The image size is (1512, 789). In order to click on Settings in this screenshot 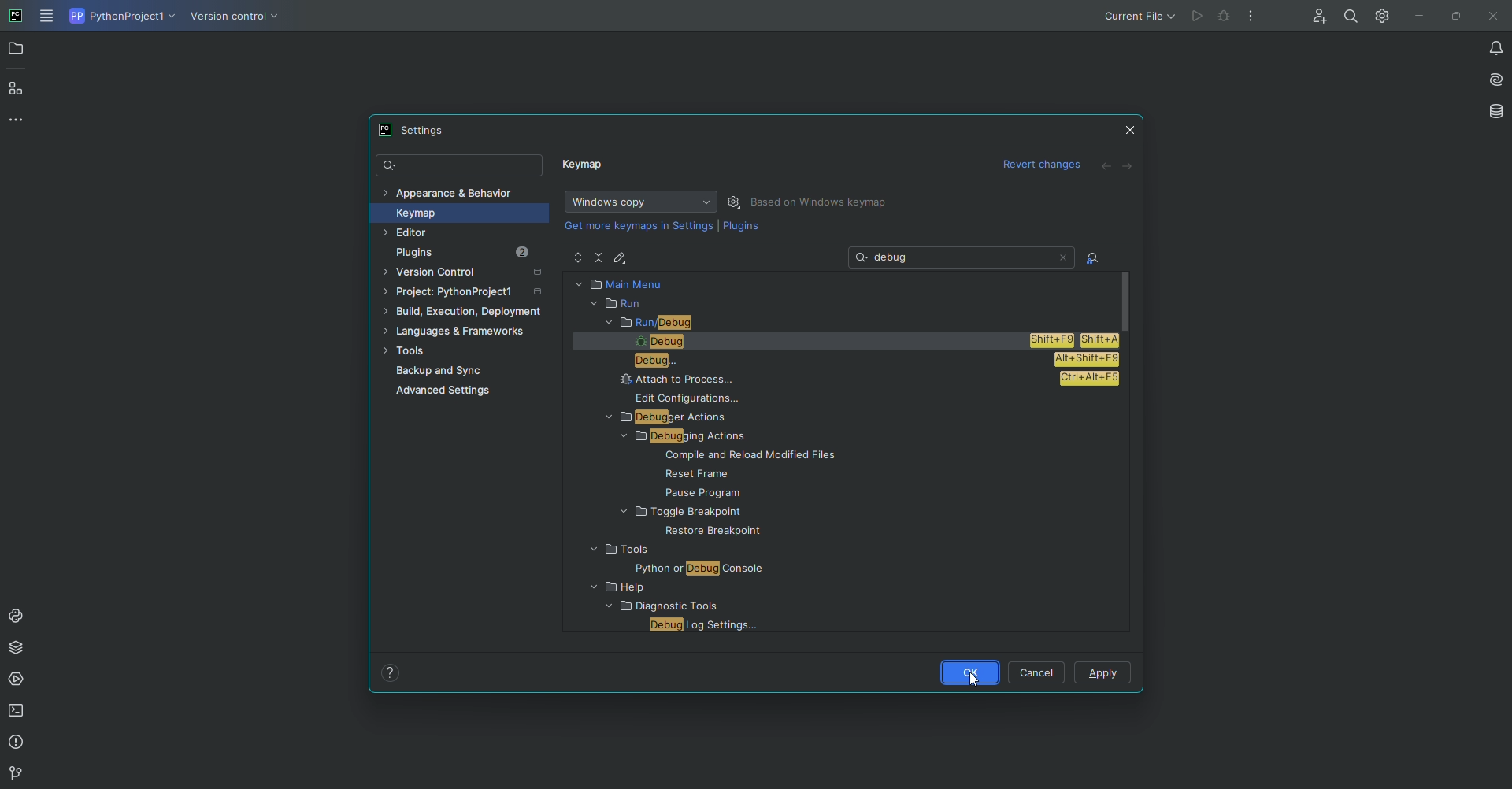, I will do `click(1379, 15)`.